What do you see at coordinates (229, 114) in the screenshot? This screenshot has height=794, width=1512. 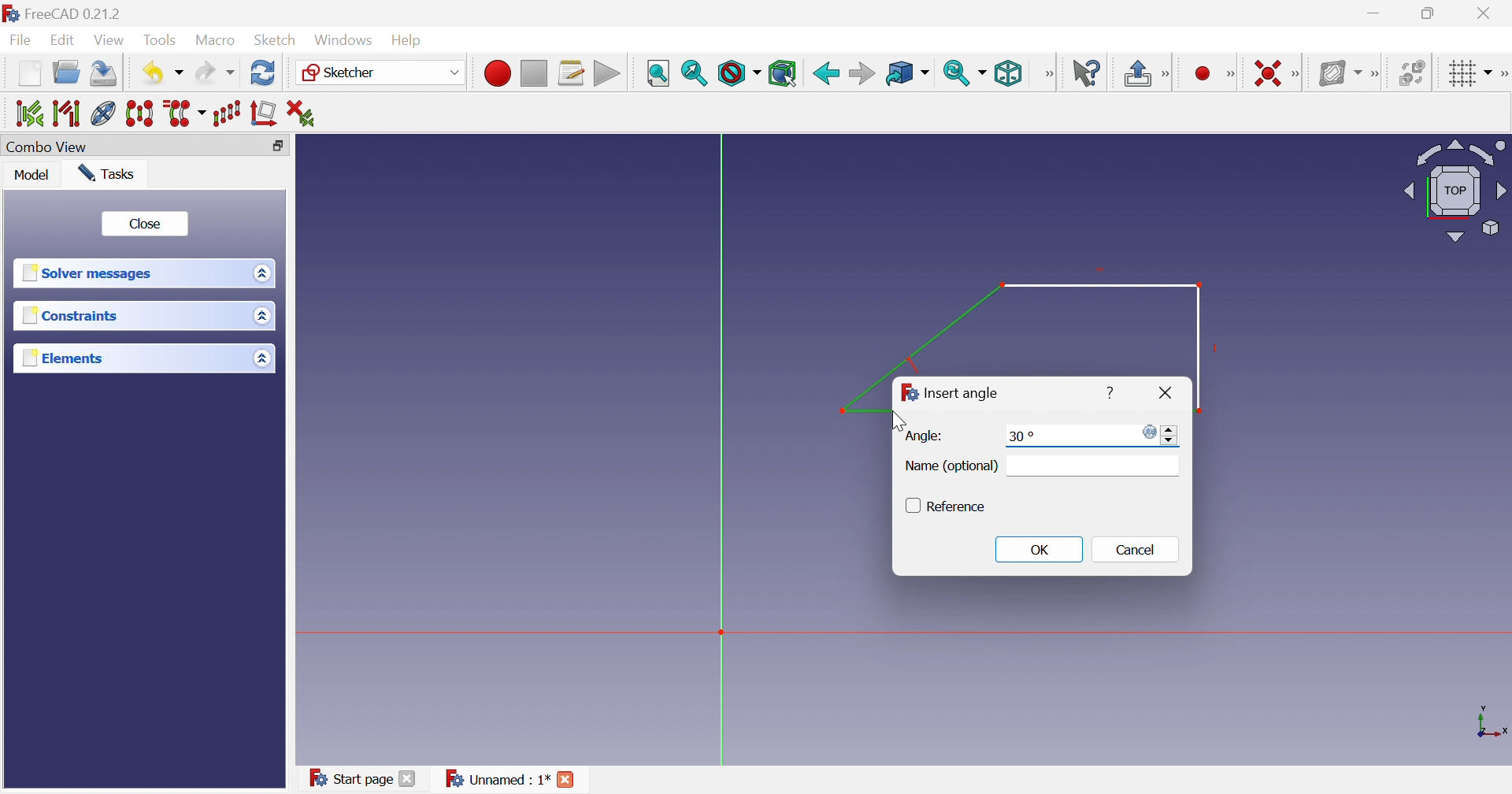 I see `Rectangular array` at bounding box center [229, 114].